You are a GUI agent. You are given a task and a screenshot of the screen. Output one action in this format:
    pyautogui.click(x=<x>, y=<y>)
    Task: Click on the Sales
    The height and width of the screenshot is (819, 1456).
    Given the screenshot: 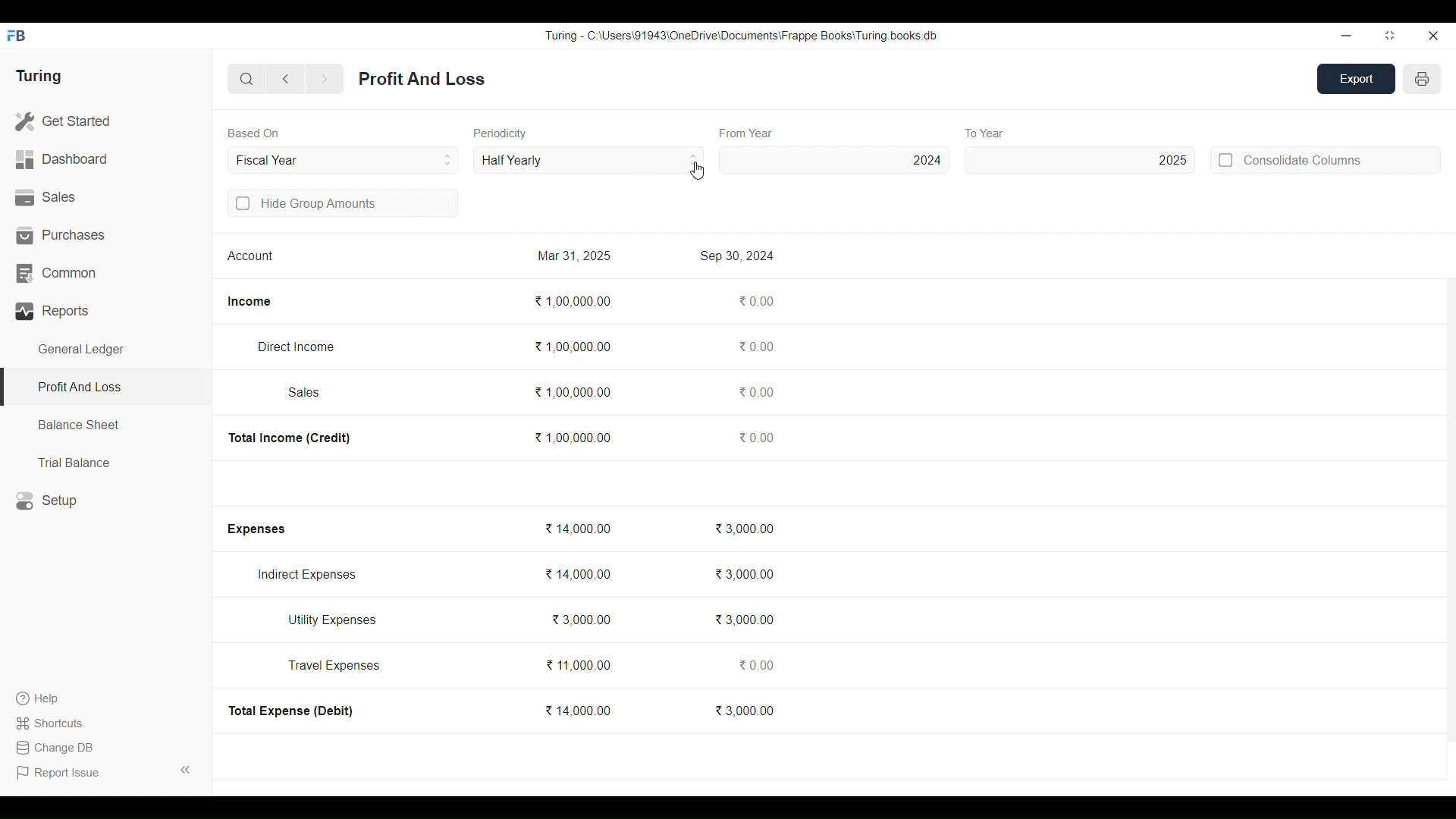 What is the action you would take?
    pyautogui.click(x=105, y=198)
    